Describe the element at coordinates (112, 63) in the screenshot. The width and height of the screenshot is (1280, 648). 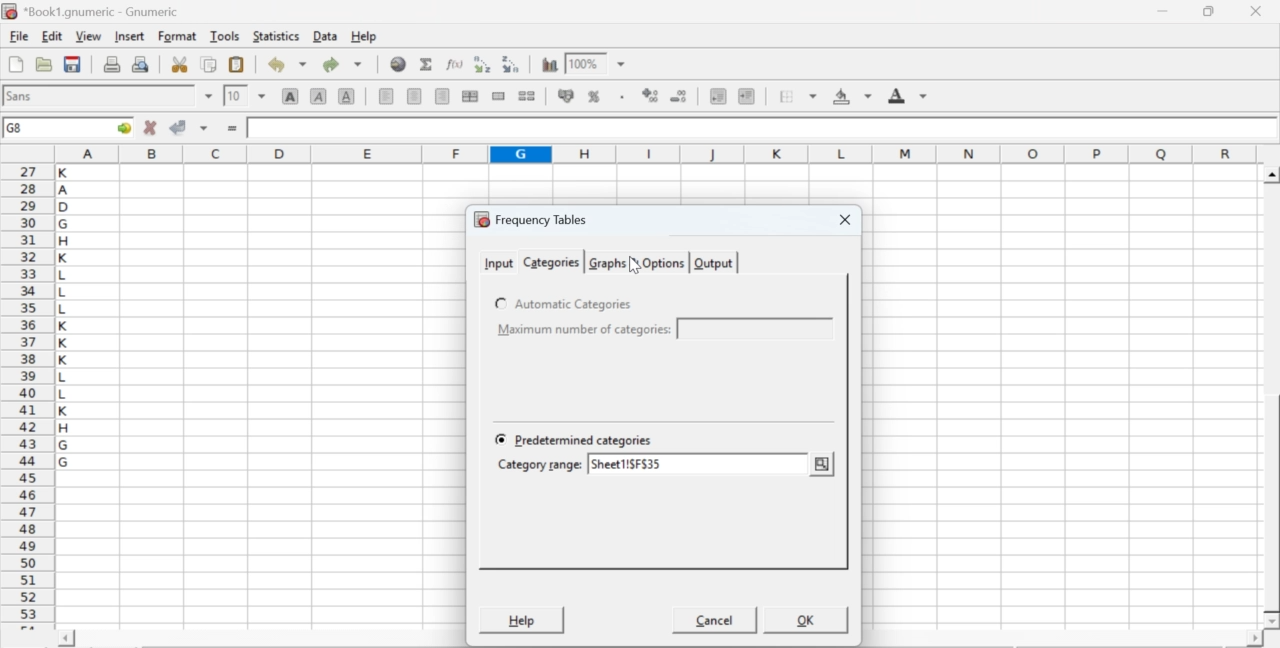
I see `print` at that location.